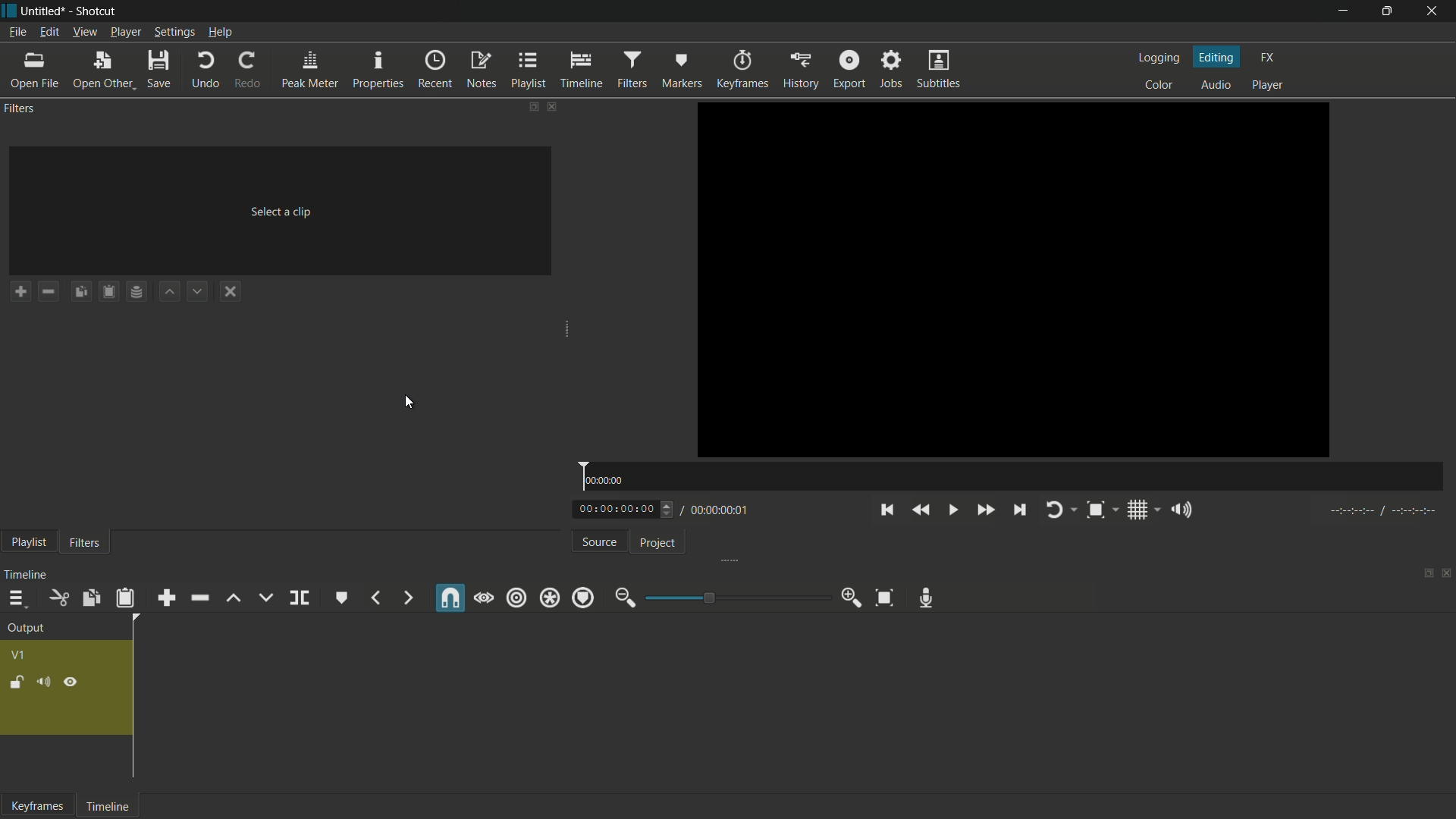 This screenshot has height=819, width=1456. Describe the element at coordinates (51, 31) in the screenshot. I see `edit menu` at that location.